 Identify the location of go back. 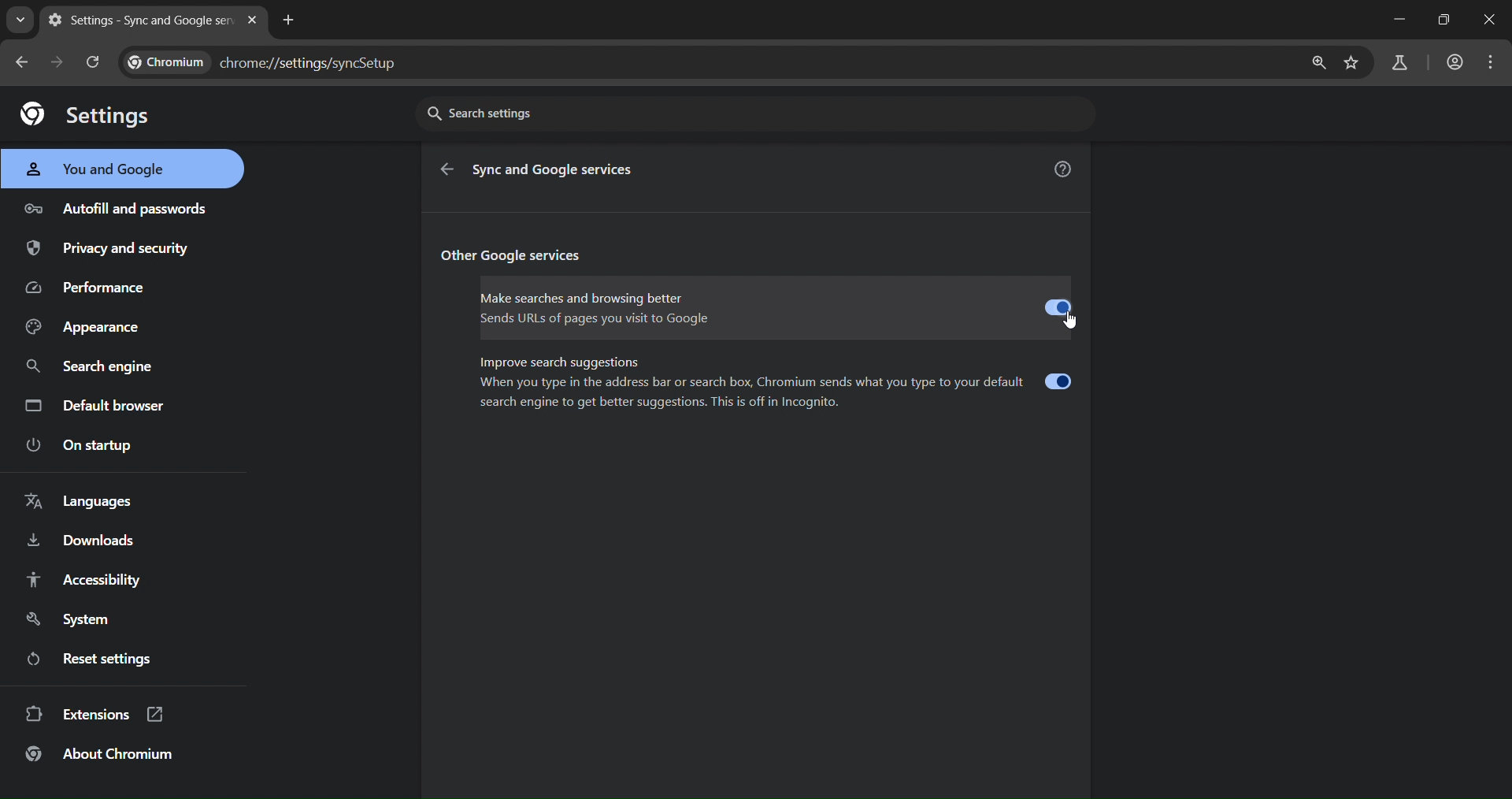
(446, 170).